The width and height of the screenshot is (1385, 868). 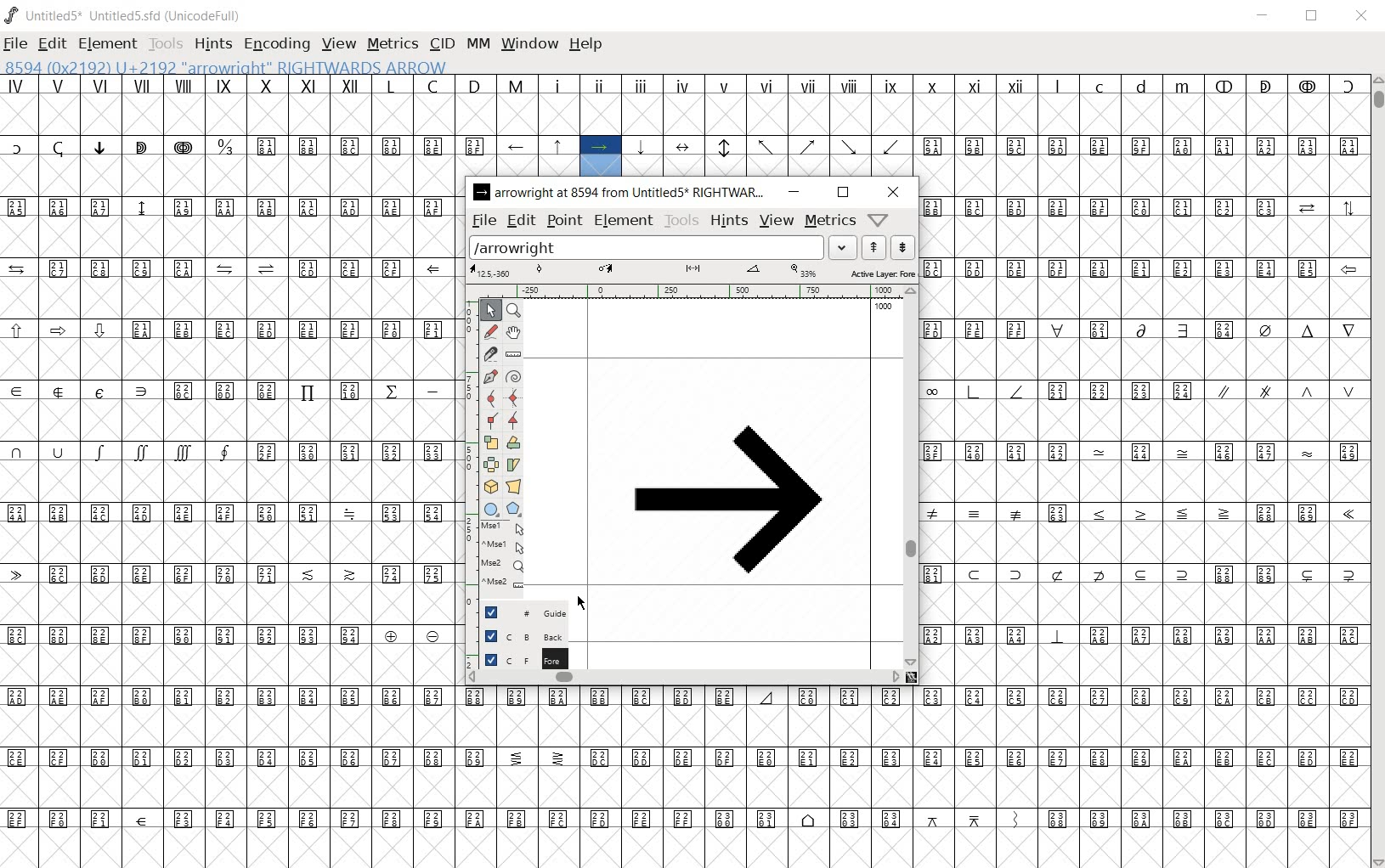 I want to click on active layer: fore, so click(x=692, y=271).